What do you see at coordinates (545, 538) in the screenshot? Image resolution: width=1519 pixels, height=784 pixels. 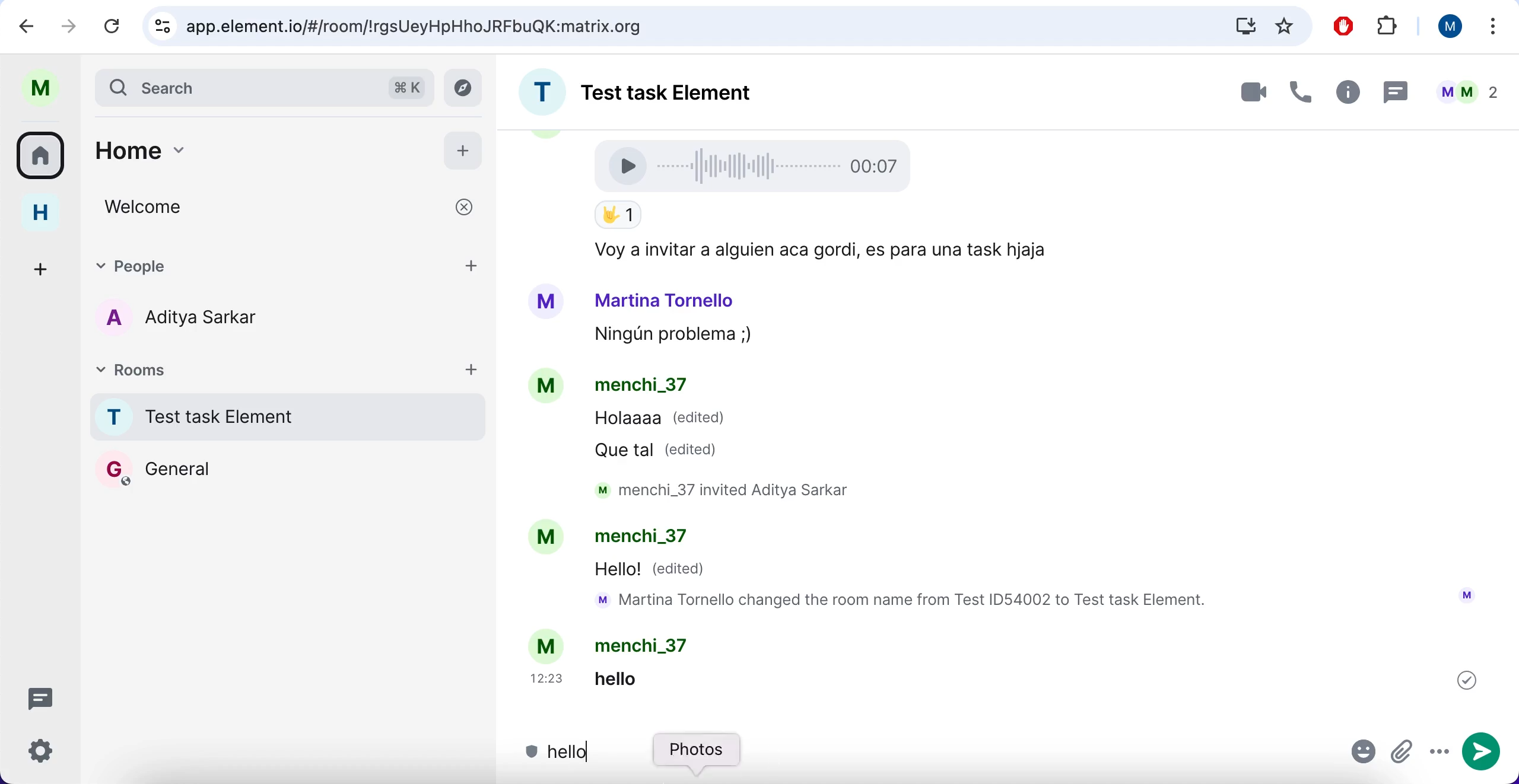 I see `Avatar` at bounding box center [545, 538].